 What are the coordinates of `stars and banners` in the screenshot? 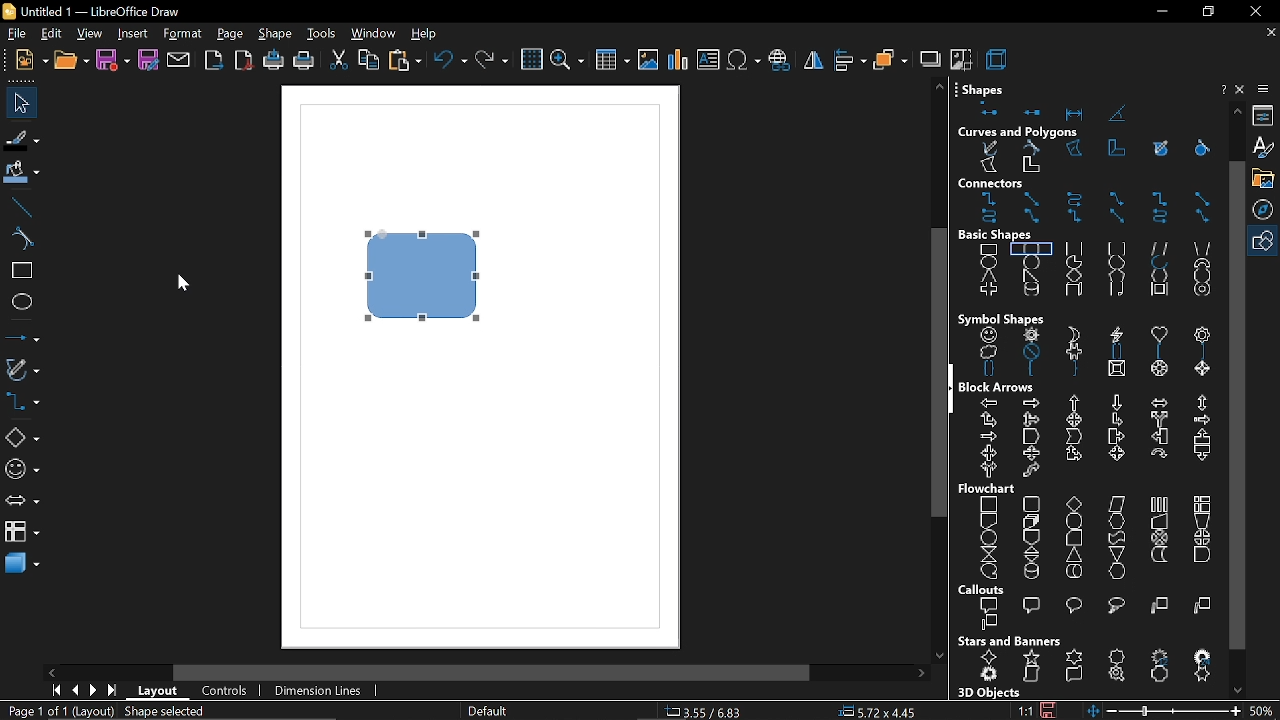 It's located at (1092, 668).